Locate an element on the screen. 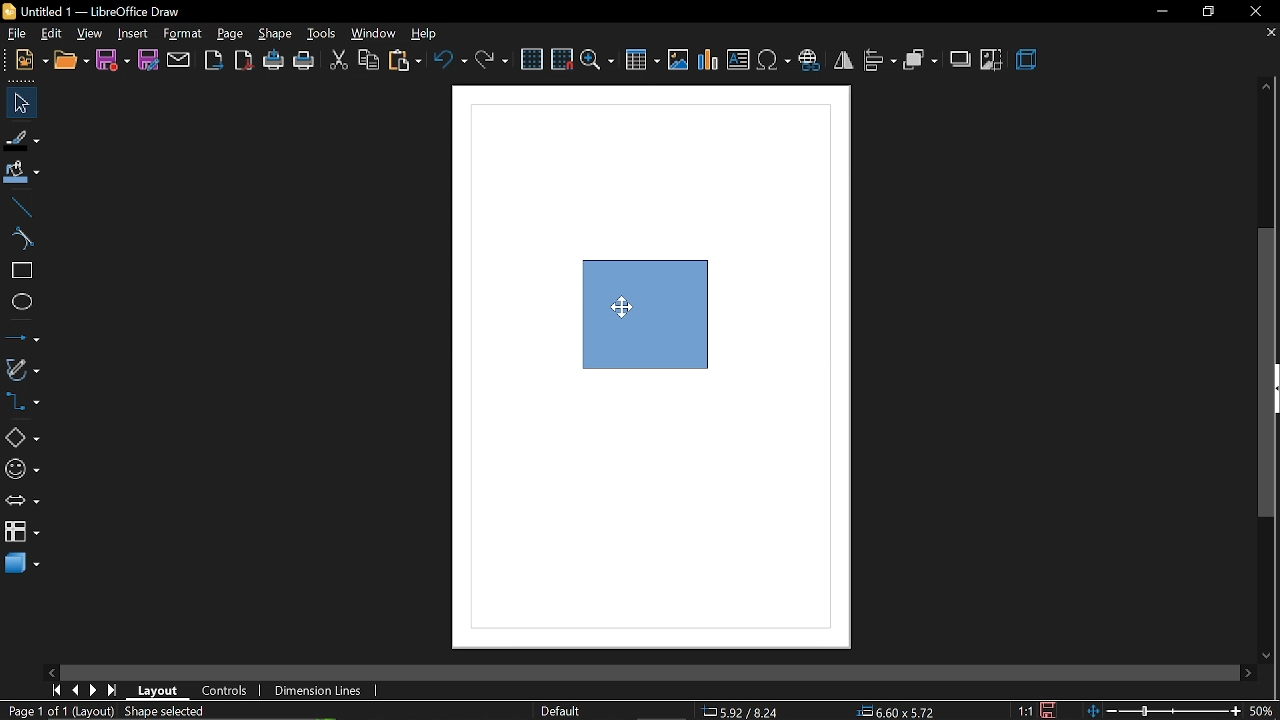 This screenshot has width=1280, height=720. attach is located at coordinates (181, 61).